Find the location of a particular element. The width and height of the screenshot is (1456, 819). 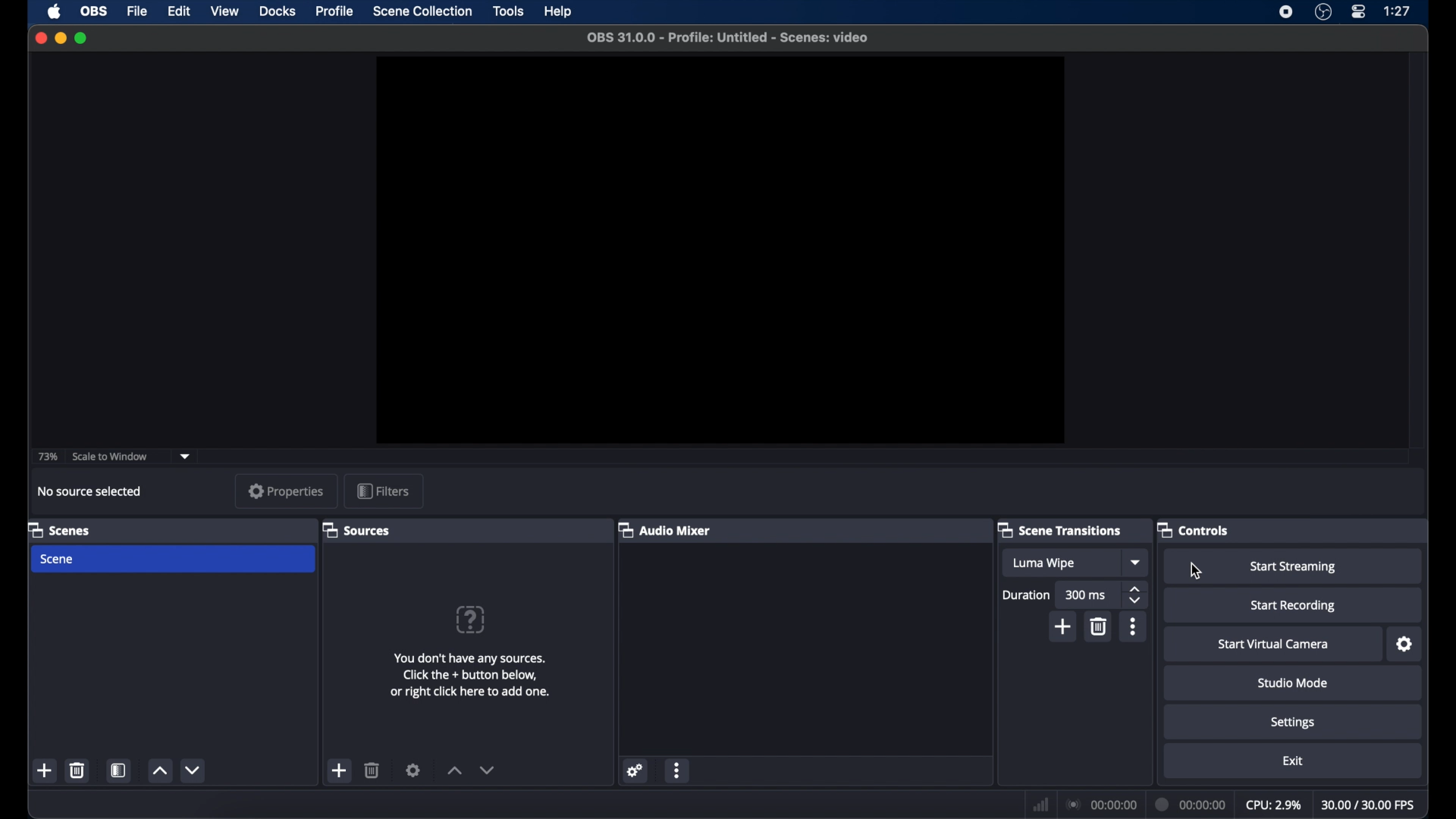

add sources information is located at coordinates (472, 675).